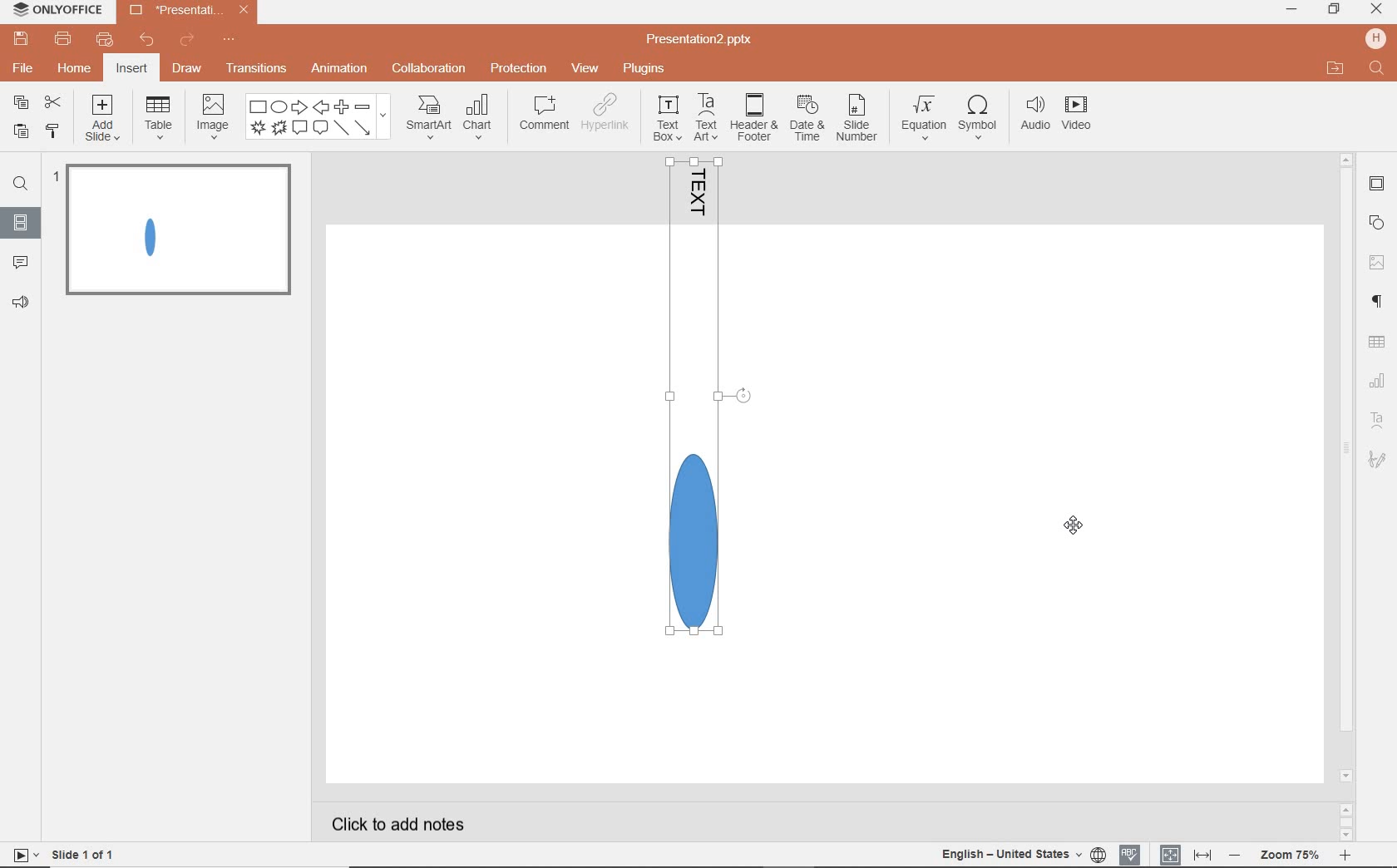 This screenshot has width=1397, height=868. What do you see at coordinates (402, 822) in the screenshot?
I see `CLICK TO ADD NOTES` at bounding box center [402, 822].